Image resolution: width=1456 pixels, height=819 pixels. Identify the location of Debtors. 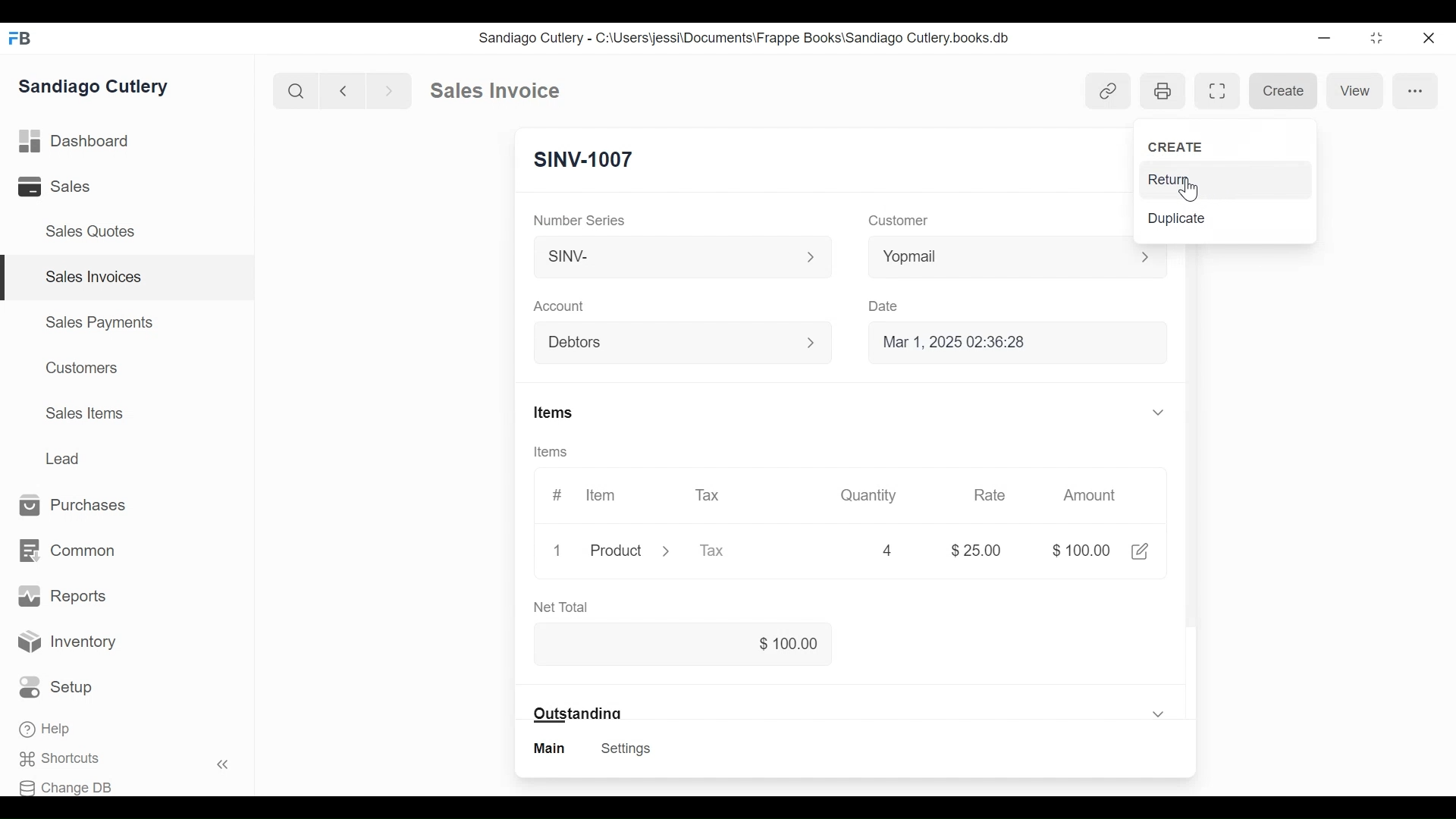
(673, 341).